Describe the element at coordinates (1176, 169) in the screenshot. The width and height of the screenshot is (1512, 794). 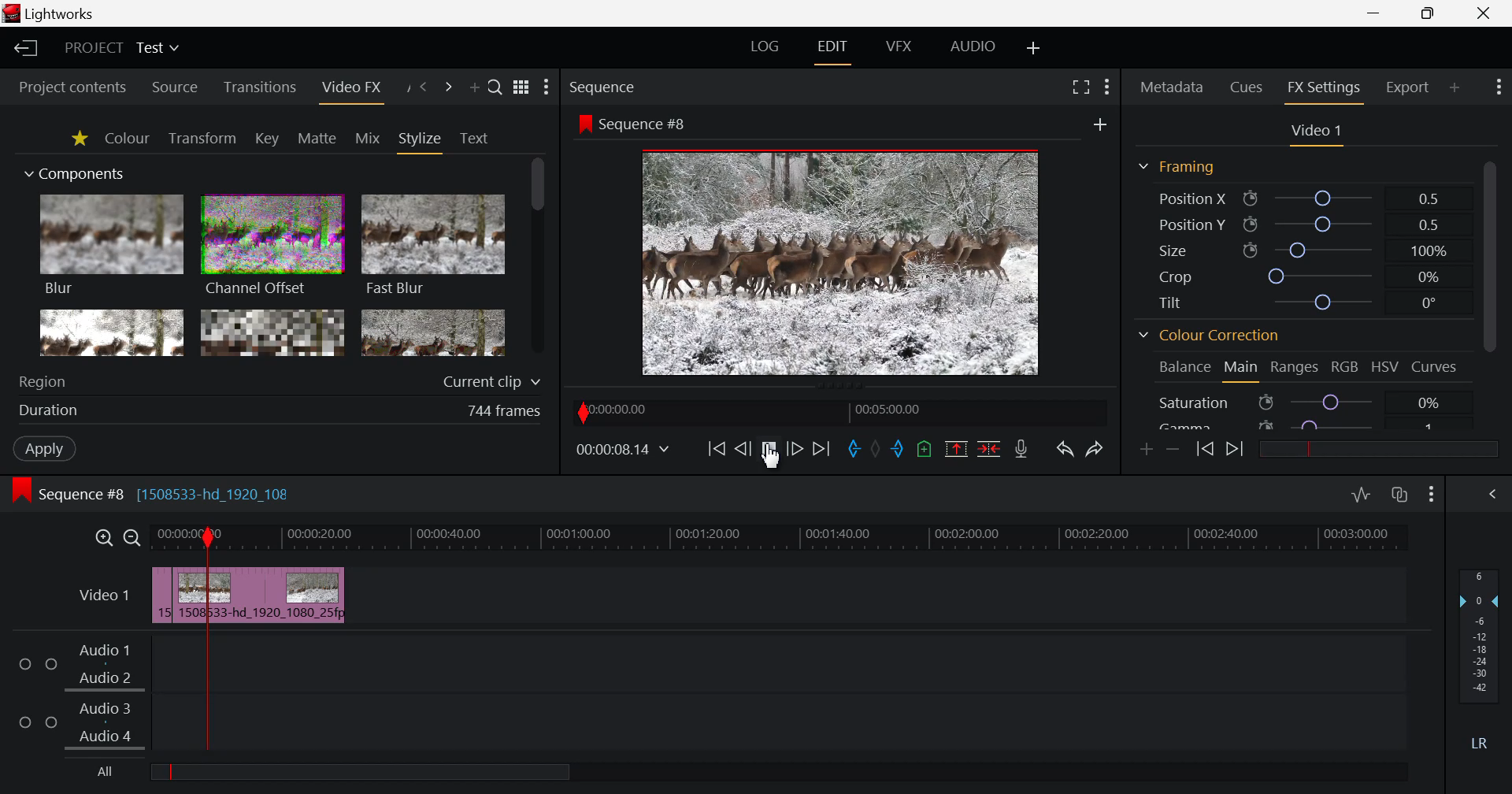
I see `Framing Section` at that location.